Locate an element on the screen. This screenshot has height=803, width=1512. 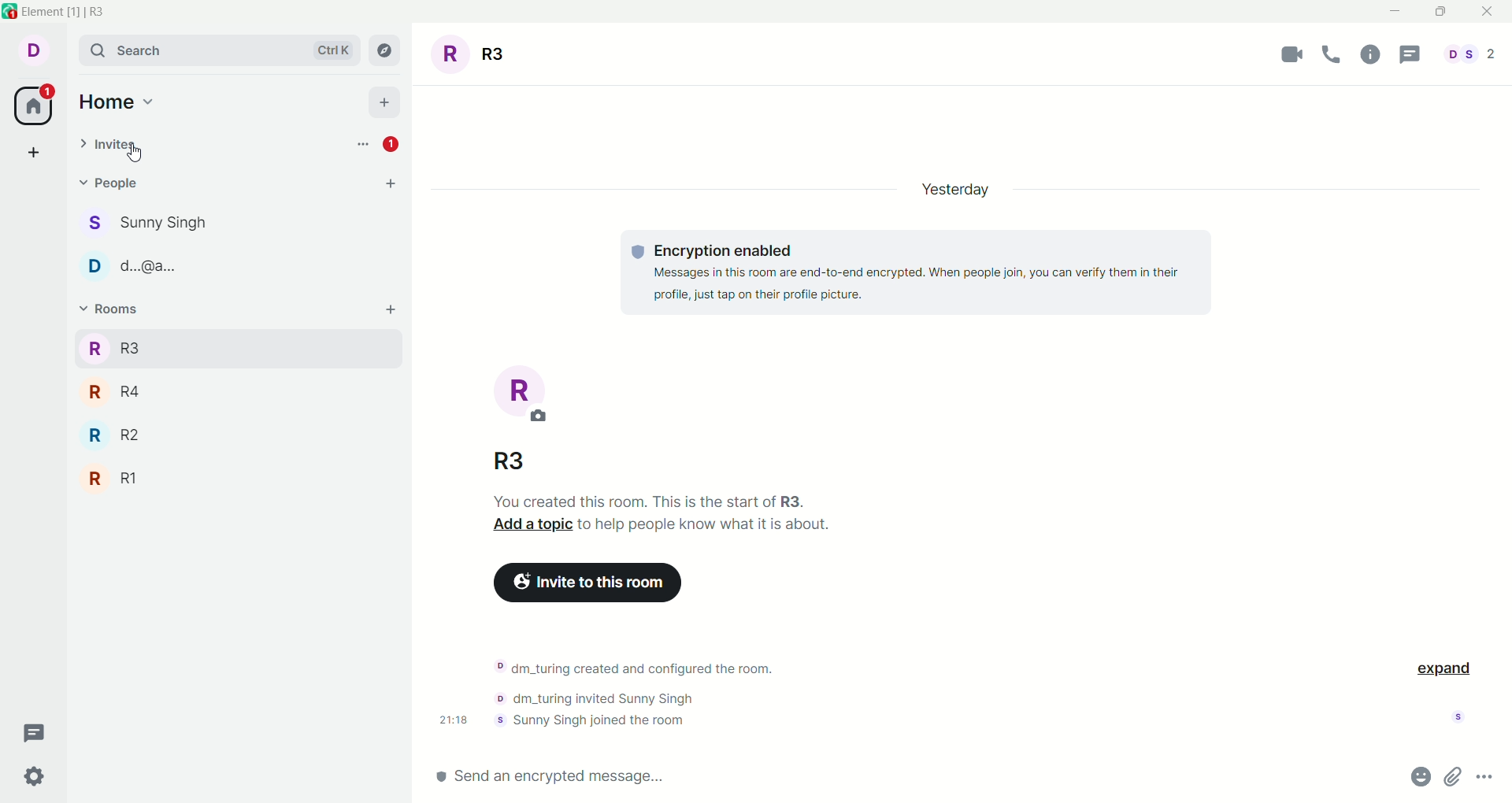
voice call is located at coordinates (1332, 54).